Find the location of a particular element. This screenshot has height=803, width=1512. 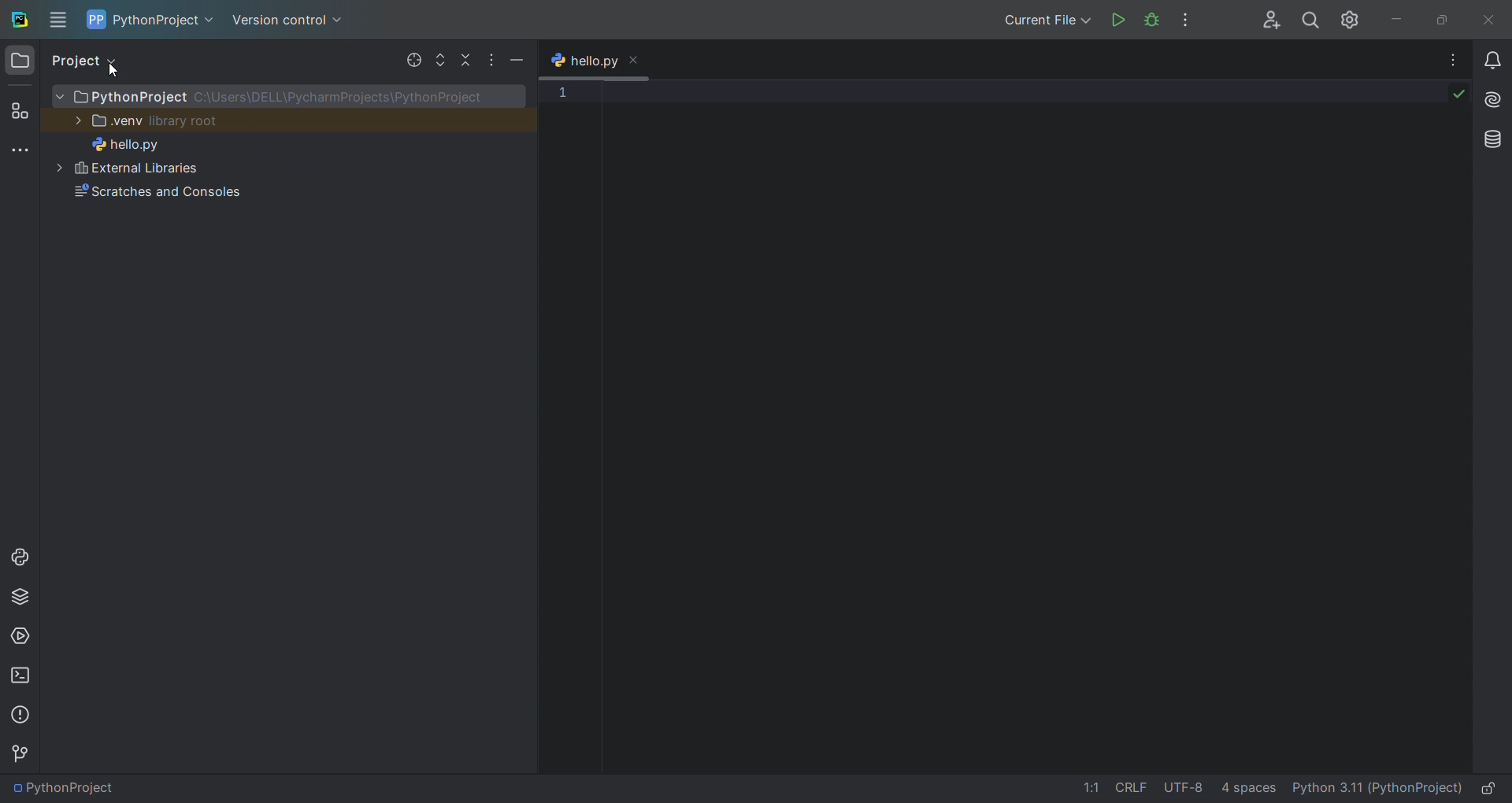

structure is located at coordinates (19, 109).